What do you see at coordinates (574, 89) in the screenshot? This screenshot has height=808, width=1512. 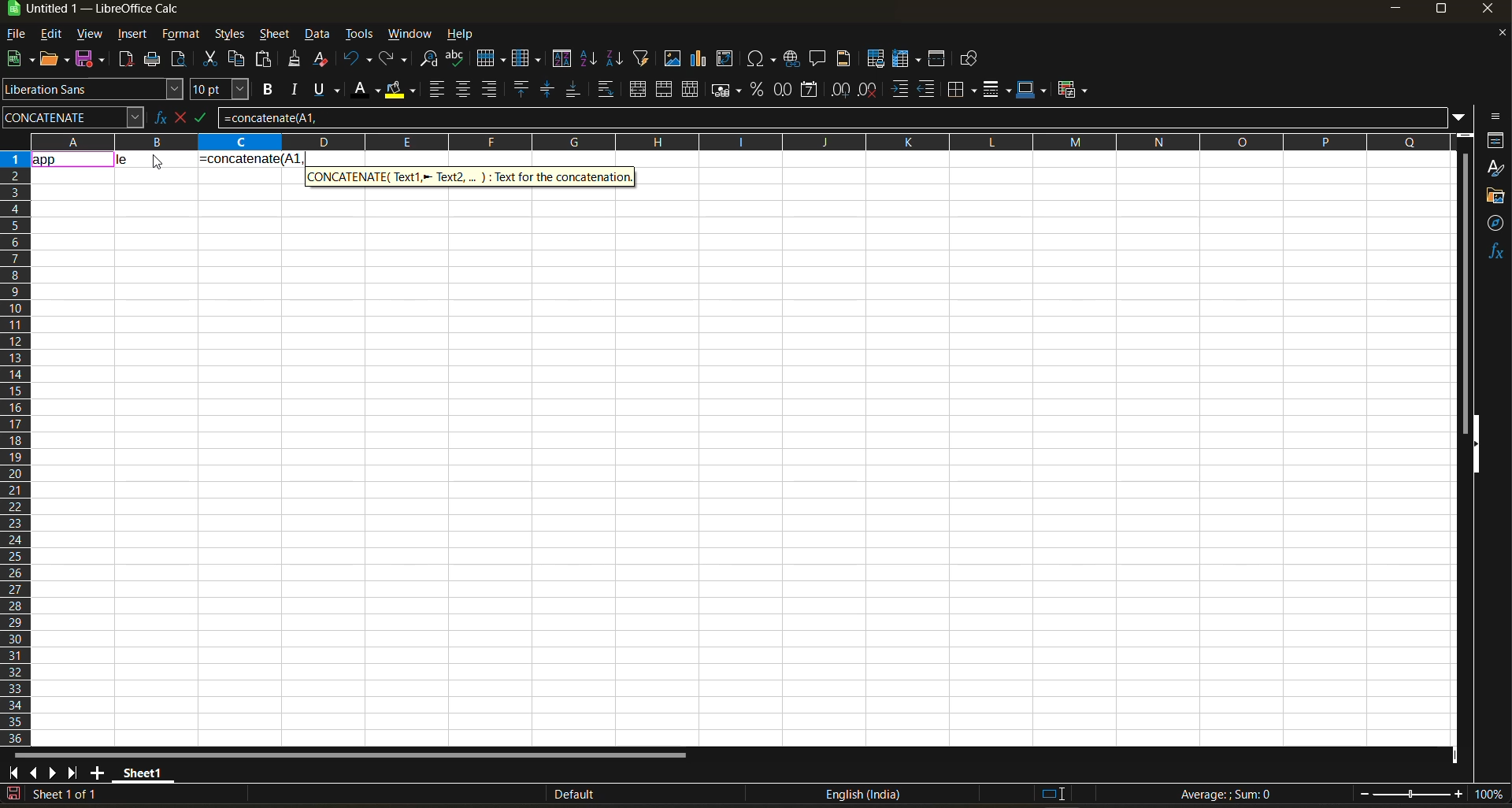 I see `align bottom` at bounding box center [574, 89].